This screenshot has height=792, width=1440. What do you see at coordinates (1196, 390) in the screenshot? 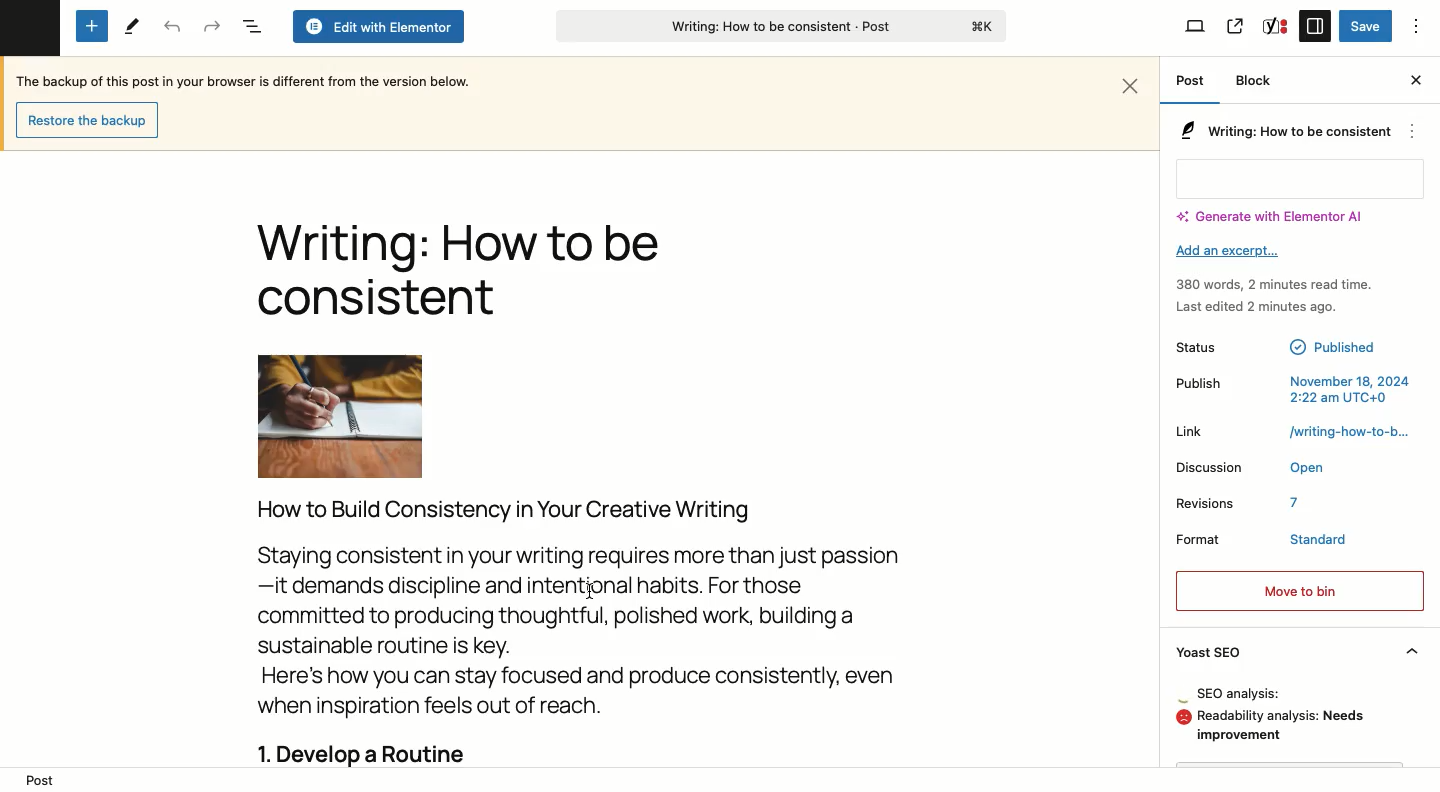
I see `Publish` at bounding box center [1196, 390].